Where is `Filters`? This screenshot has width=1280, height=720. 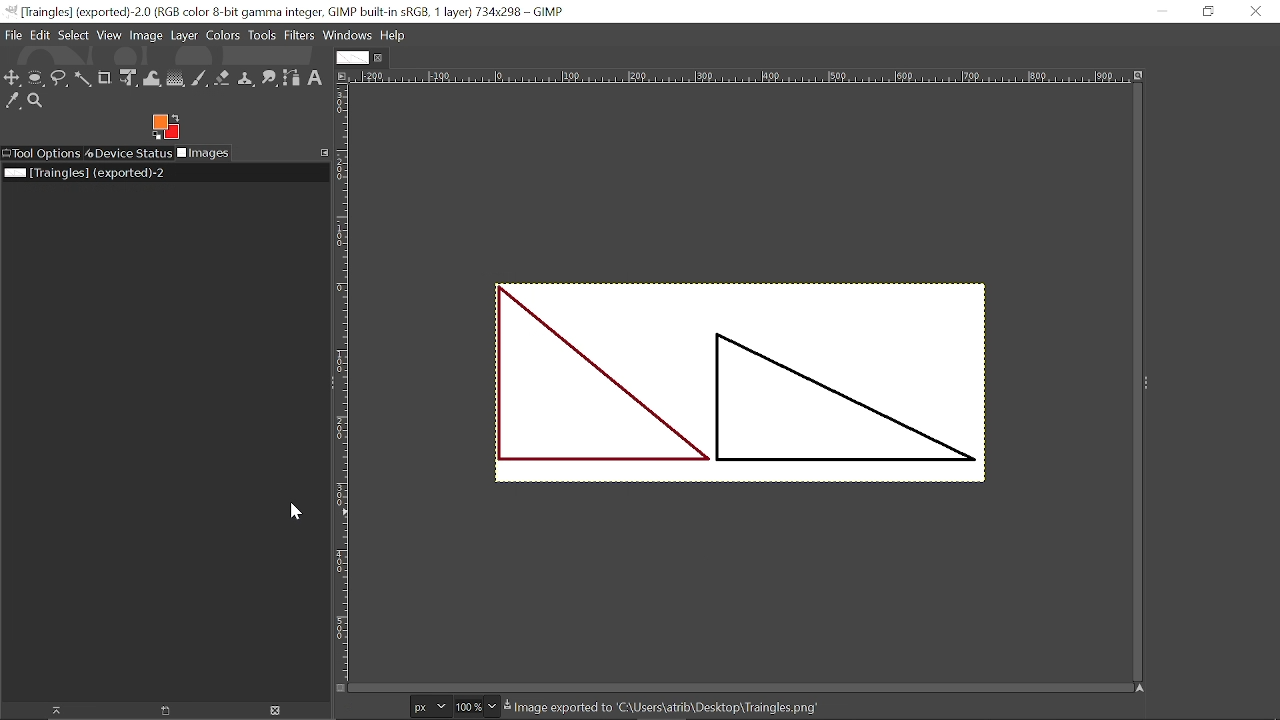 Filters is located at coordinates (300, 36).